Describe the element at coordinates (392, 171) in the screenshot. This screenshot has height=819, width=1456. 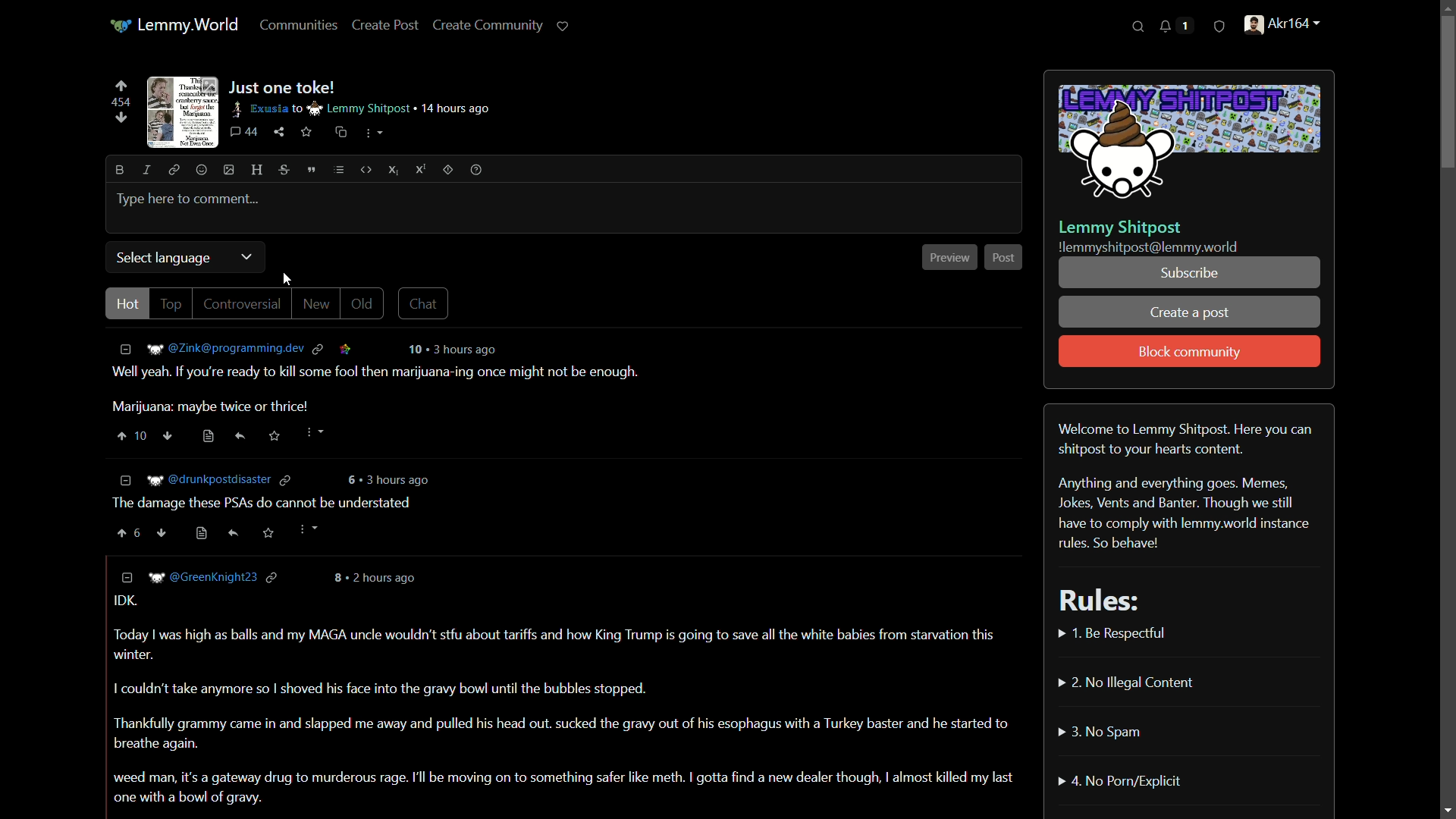
I see `subscript` at that location.